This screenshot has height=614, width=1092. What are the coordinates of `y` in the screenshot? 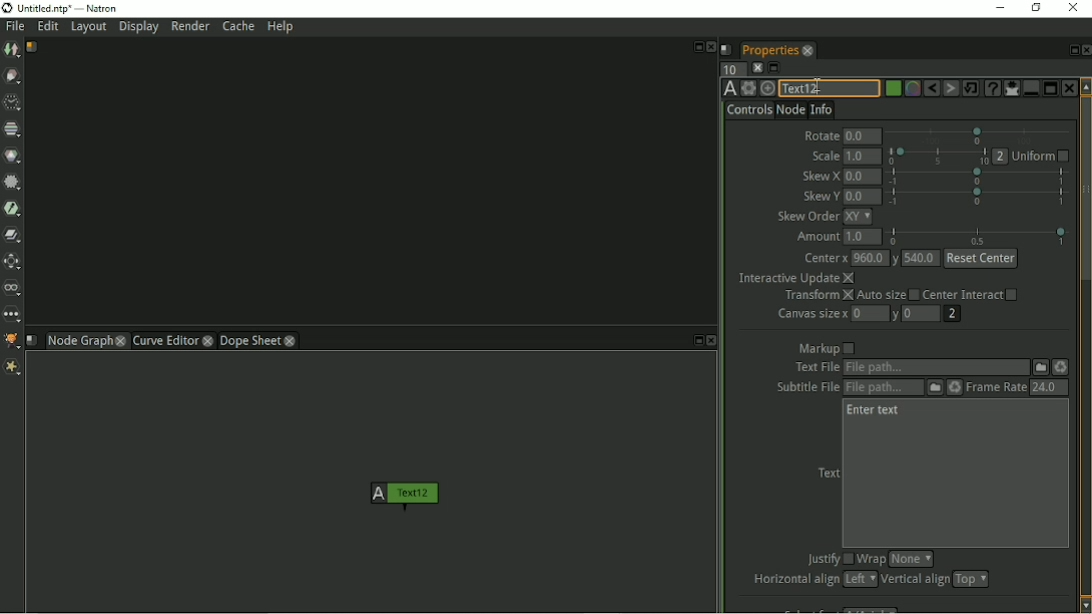 It's located at (897, 315).